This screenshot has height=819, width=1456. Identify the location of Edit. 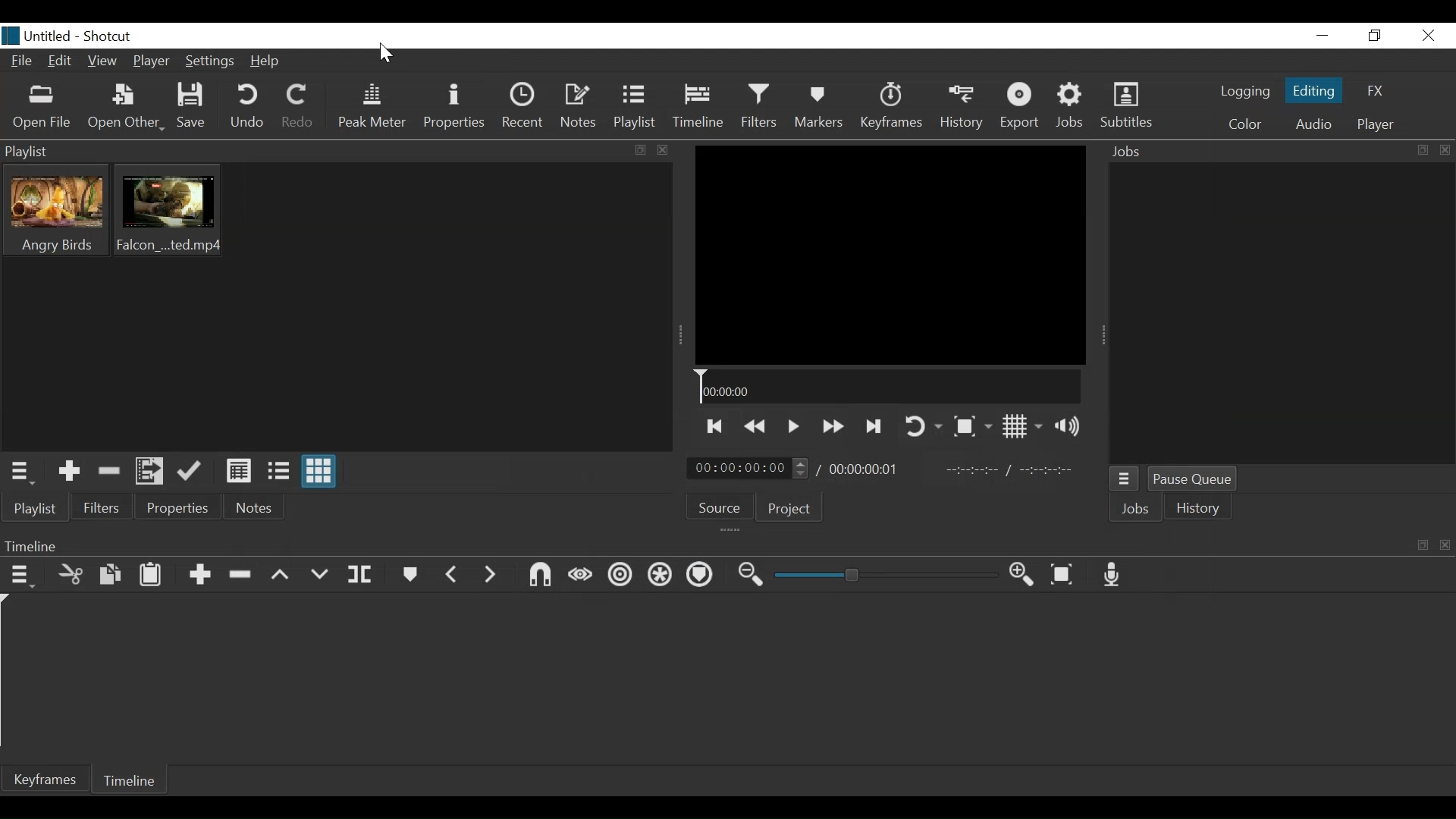
(61, 63).